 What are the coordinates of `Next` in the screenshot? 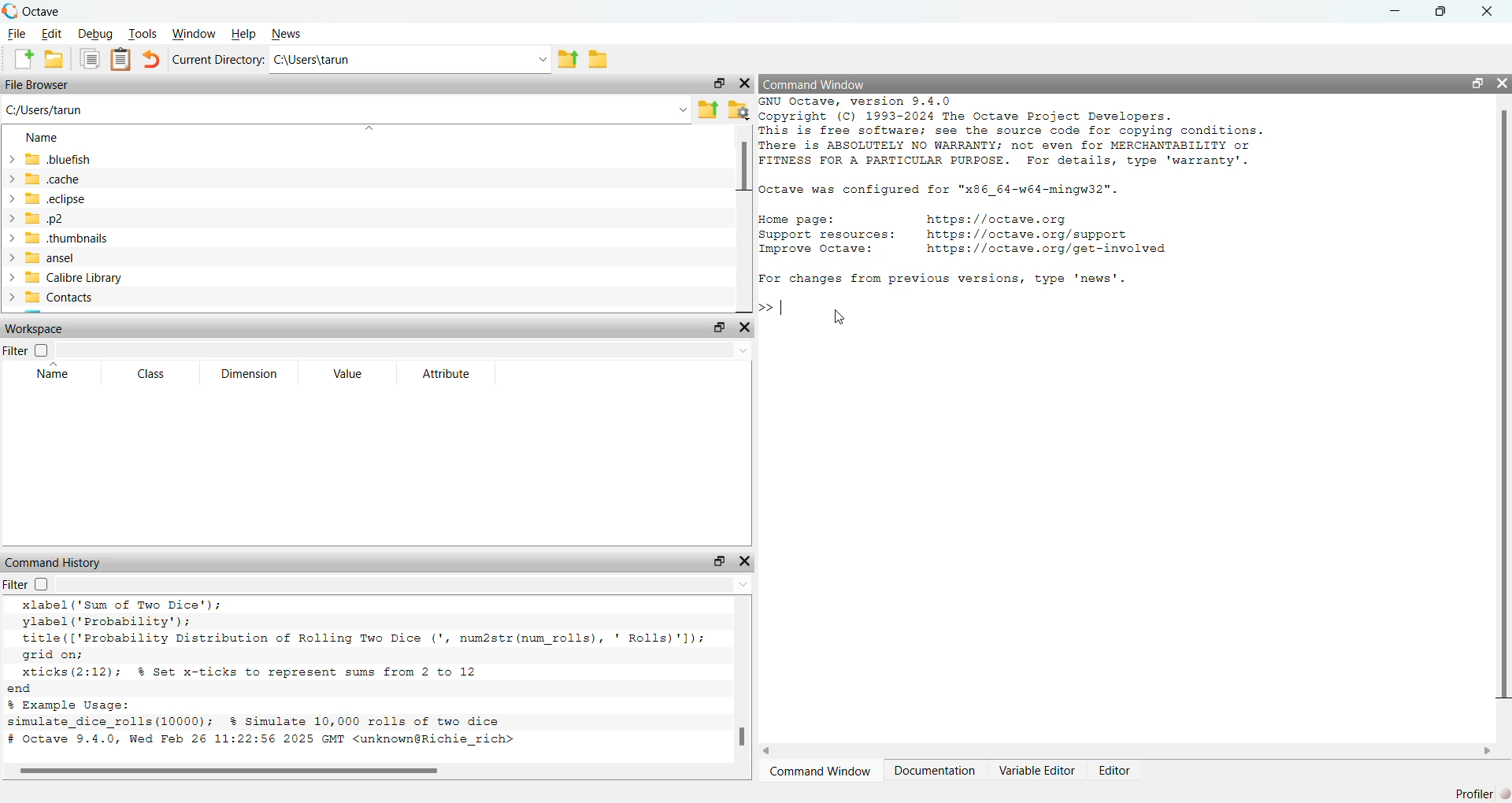 It's located at (1484, 752).